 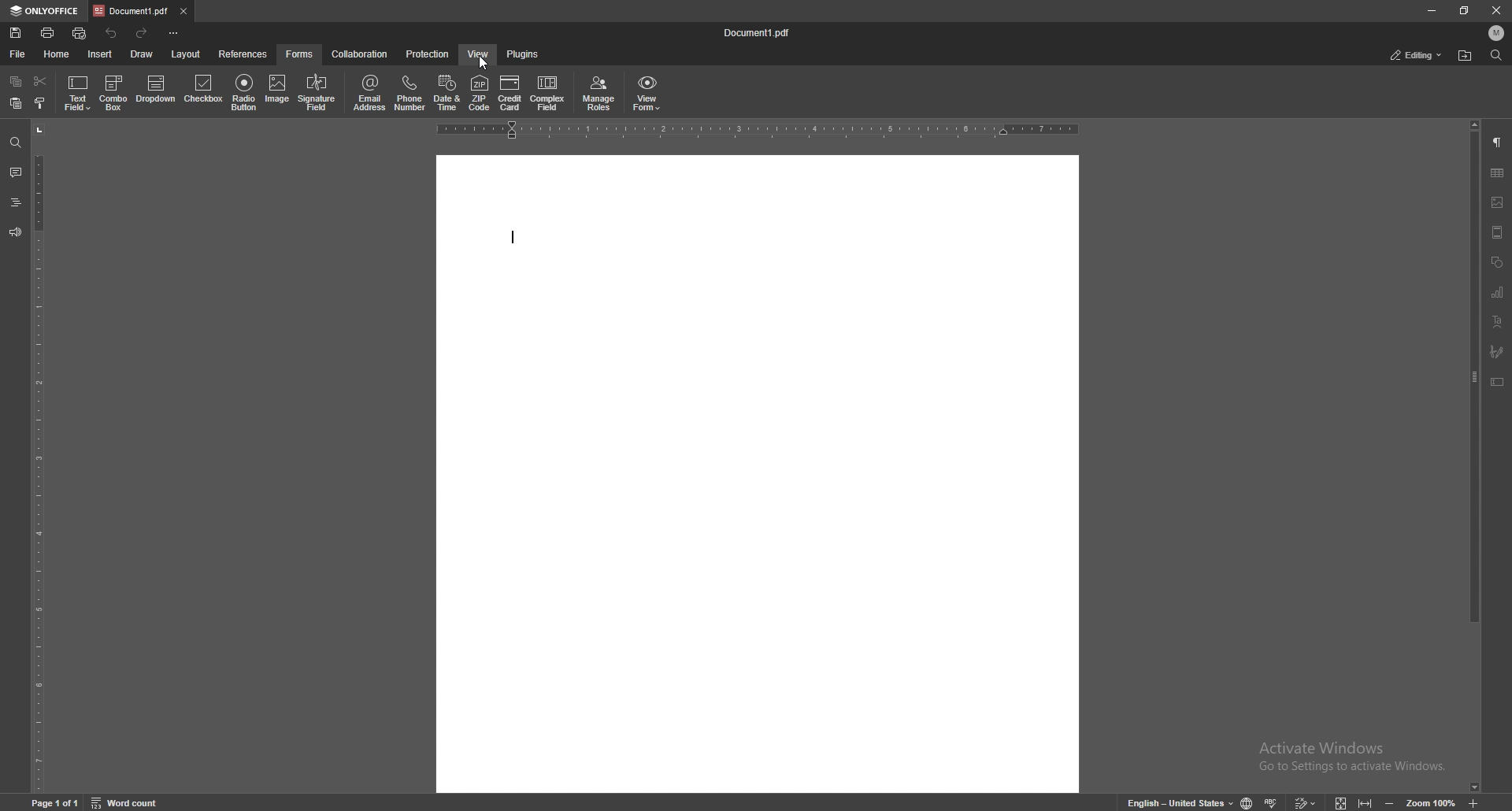 I want to click on redo, so click(x=144, y=32).